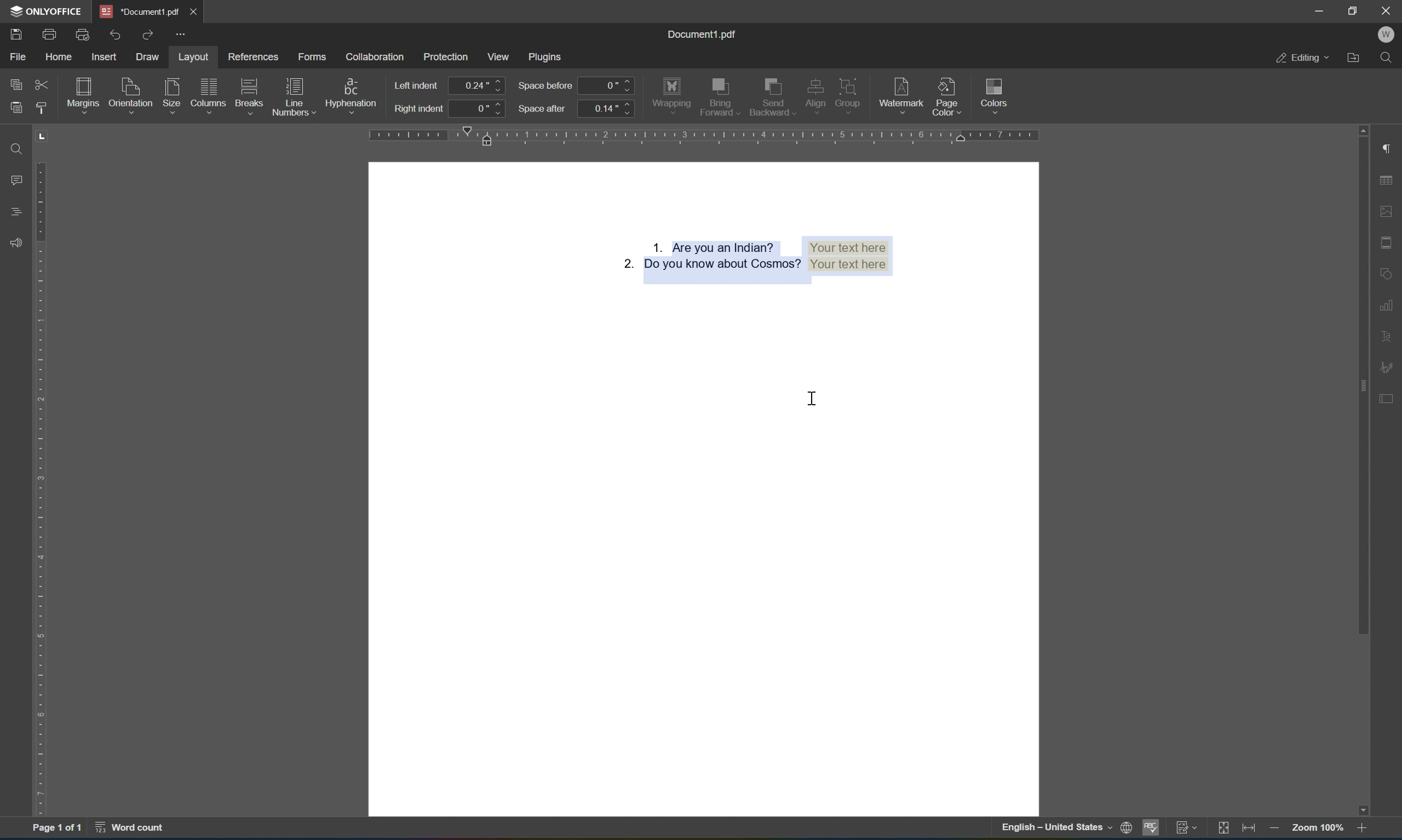  Describe the element at coordinates (41, 84) in the screenshot. I see `cut` at that location.